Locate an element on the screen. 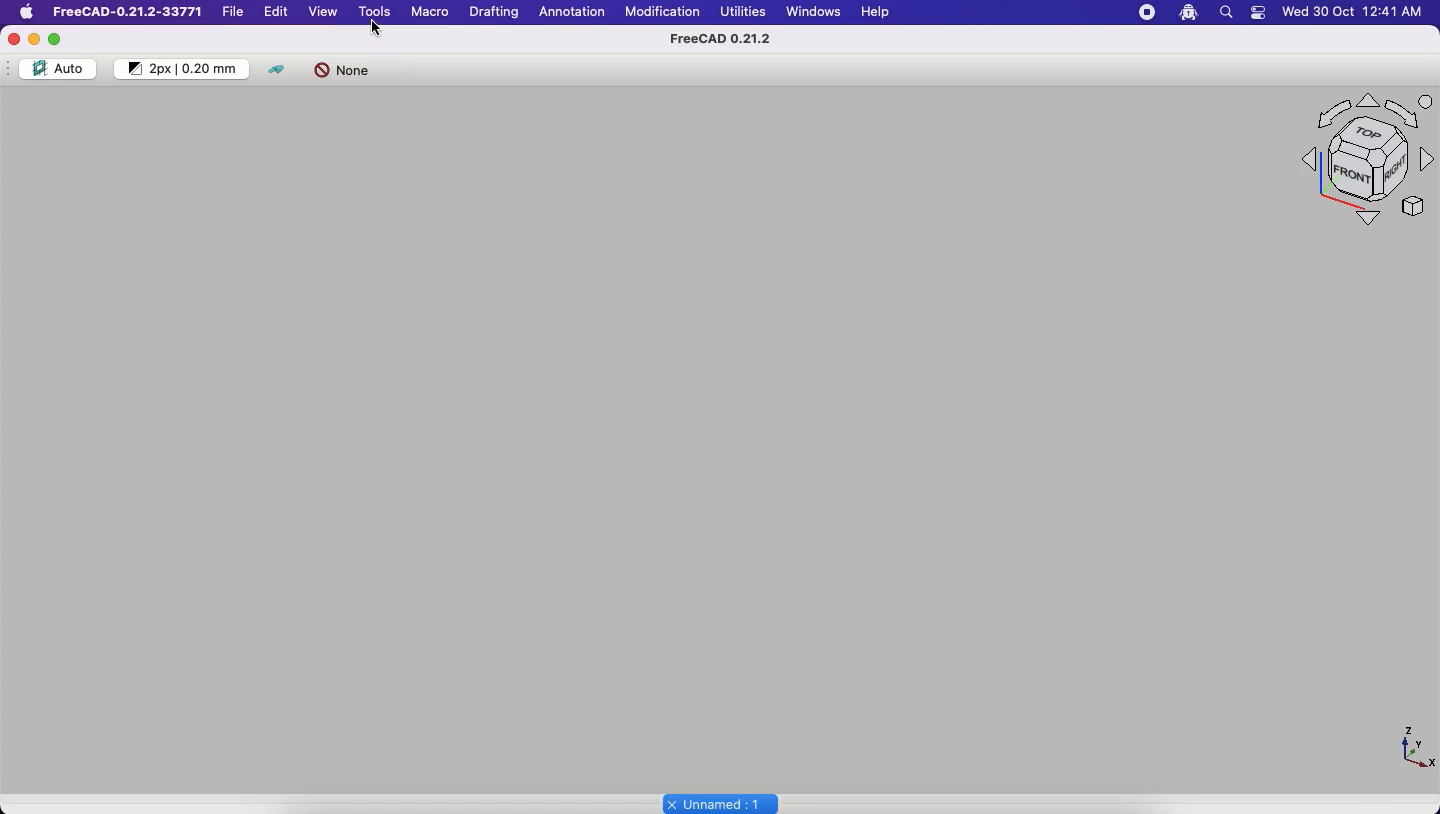  Notification is located at coordinates (1263, 13).